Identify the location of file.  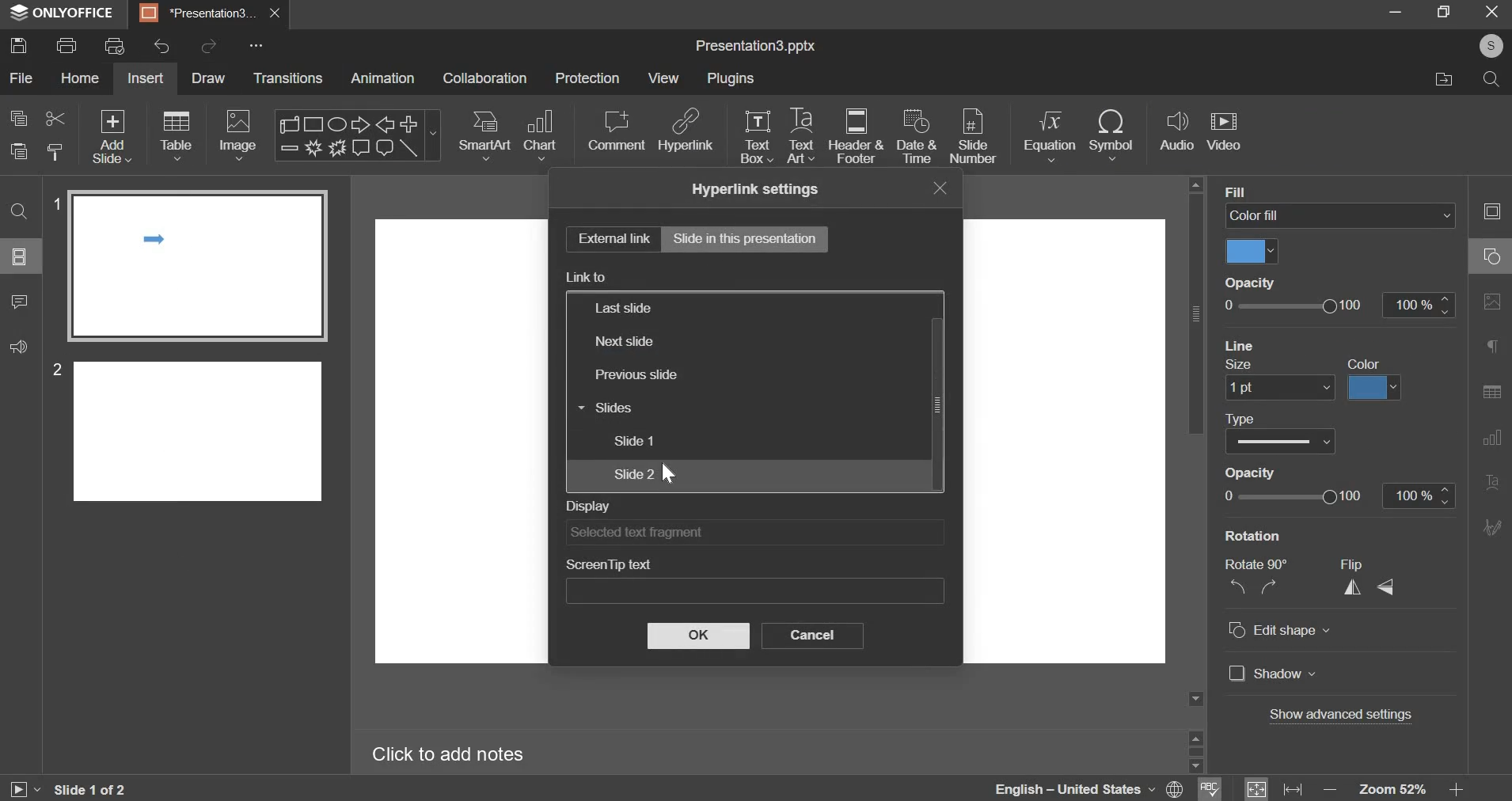
(23, 78).